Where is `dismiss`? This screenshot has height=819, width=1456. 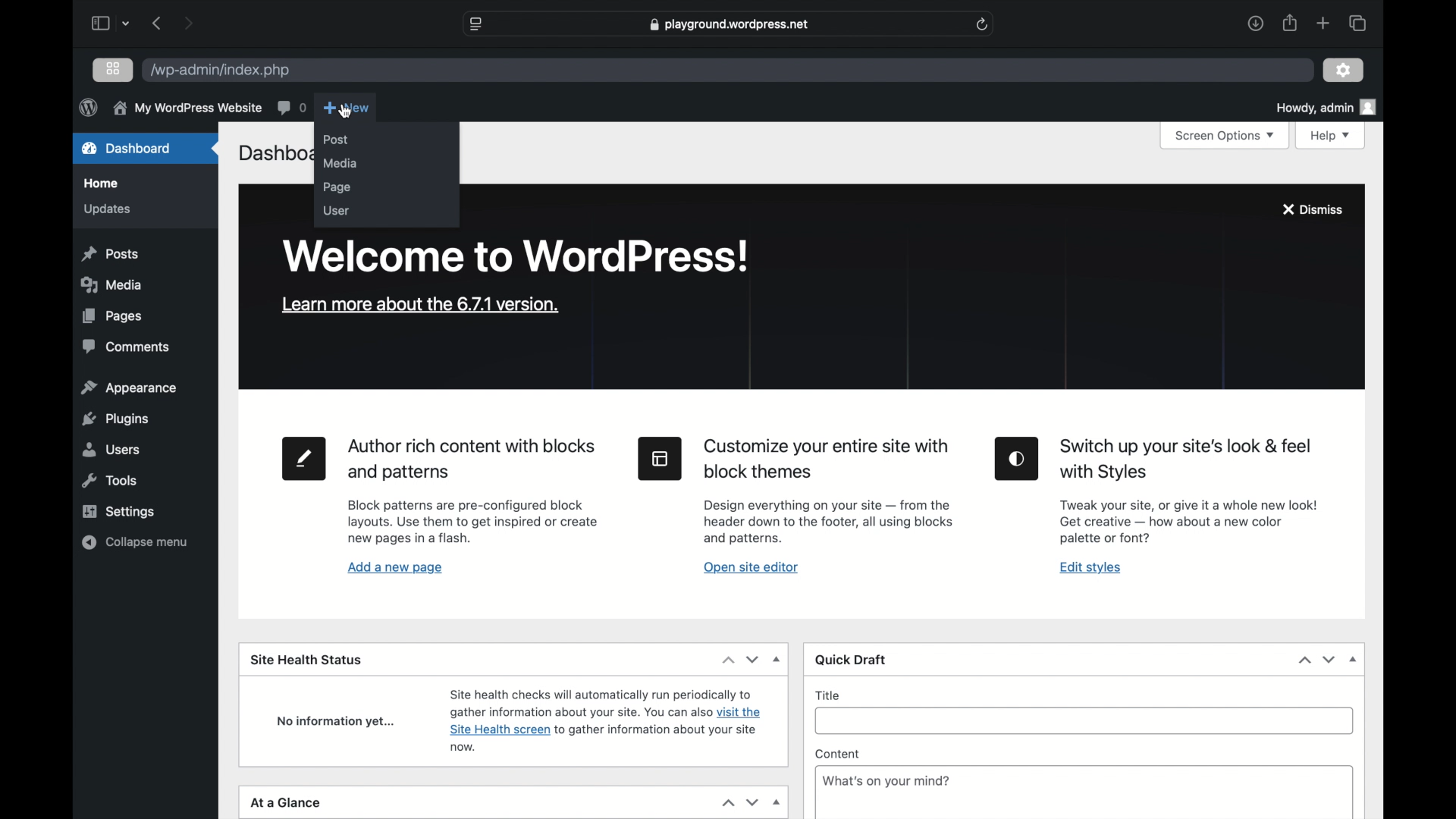
dismiss is located at coordinates (1311, 209).